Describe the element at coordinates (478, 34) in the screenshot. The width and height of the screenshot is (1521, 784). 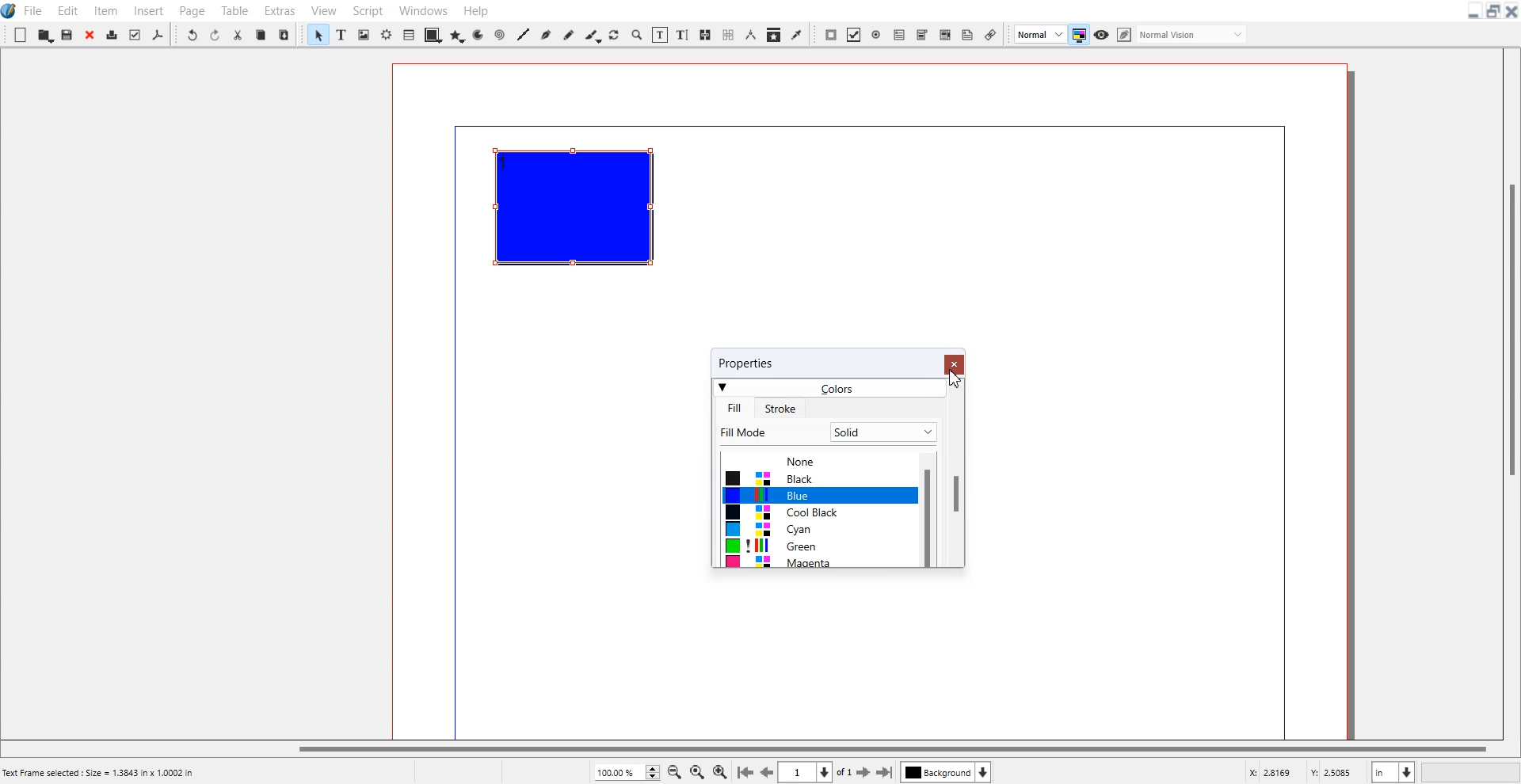
I see `Arc` at that location.